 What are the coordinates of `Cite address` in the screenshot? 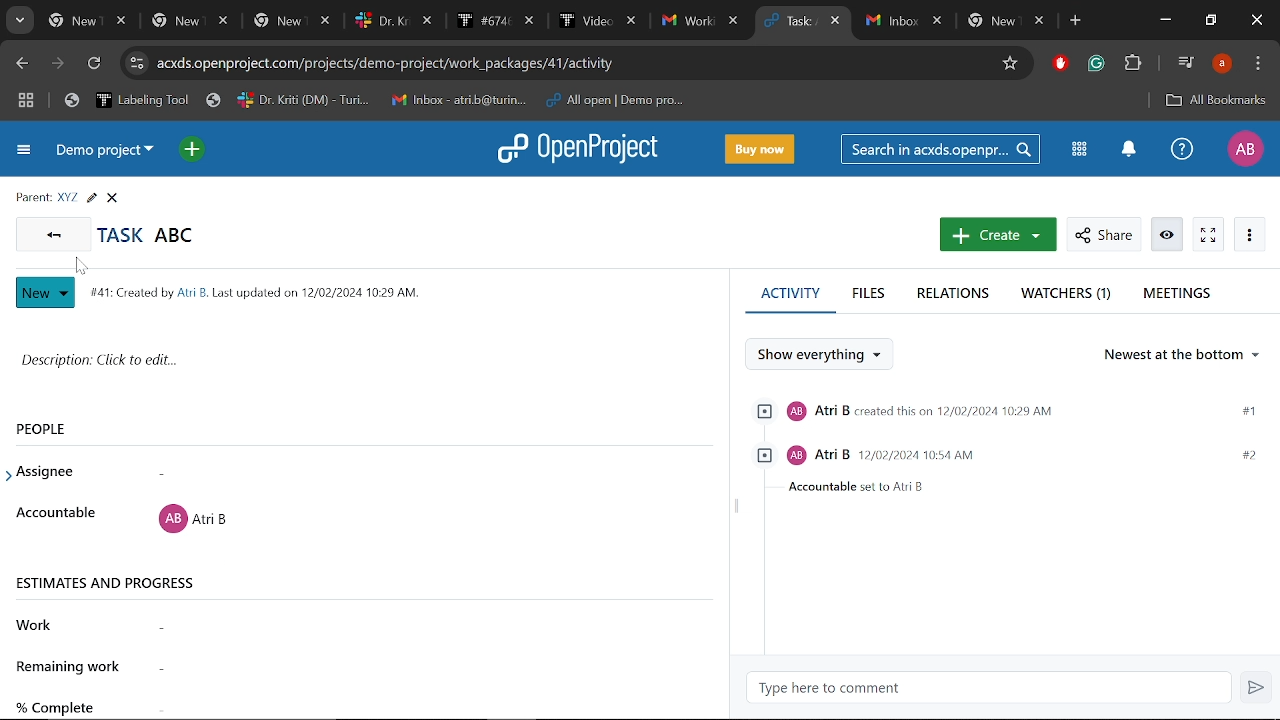 It's located at (573, 63).